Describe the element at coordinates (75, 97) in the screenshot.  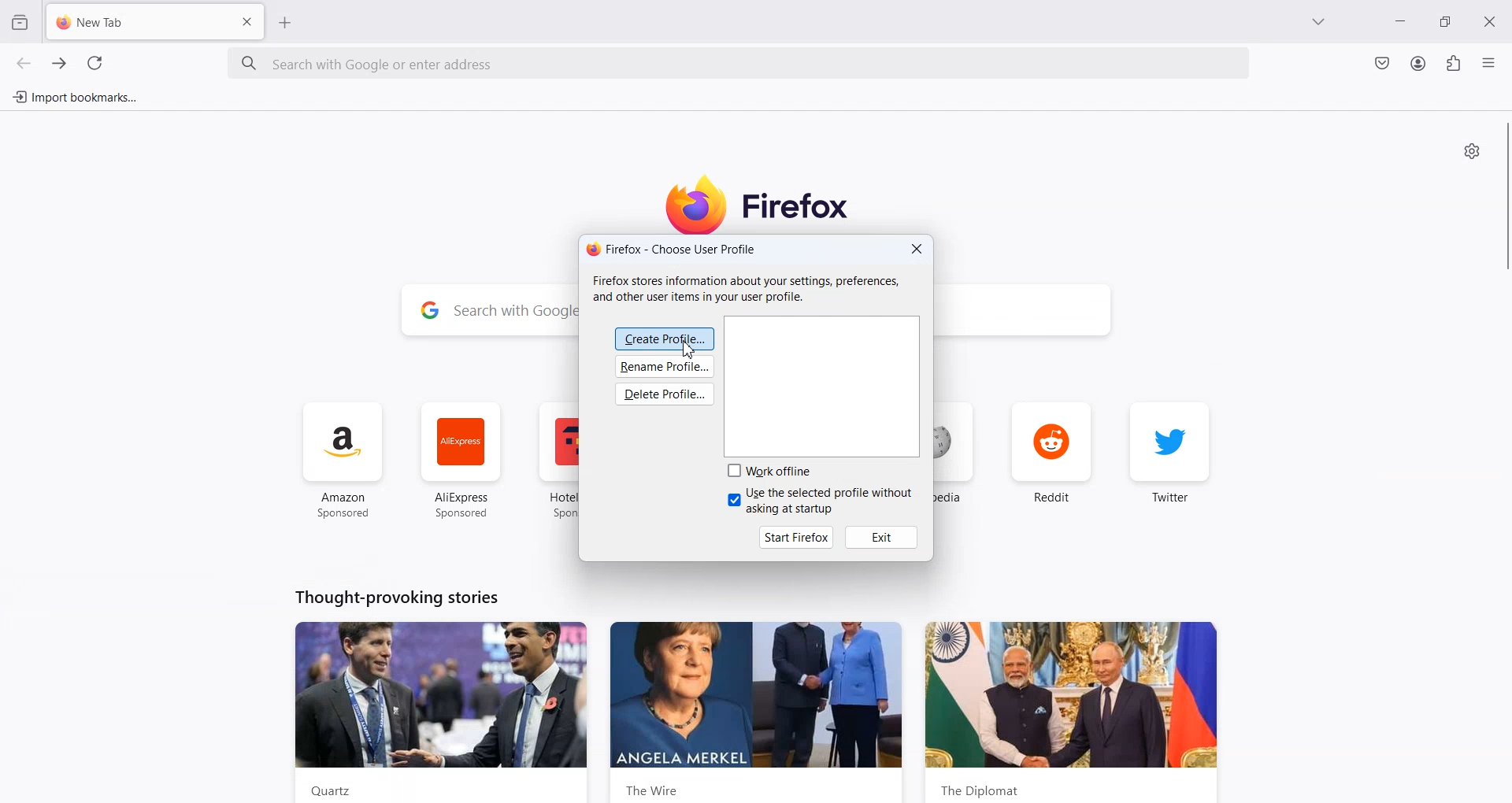
I see `Import bookmarks` at that location.